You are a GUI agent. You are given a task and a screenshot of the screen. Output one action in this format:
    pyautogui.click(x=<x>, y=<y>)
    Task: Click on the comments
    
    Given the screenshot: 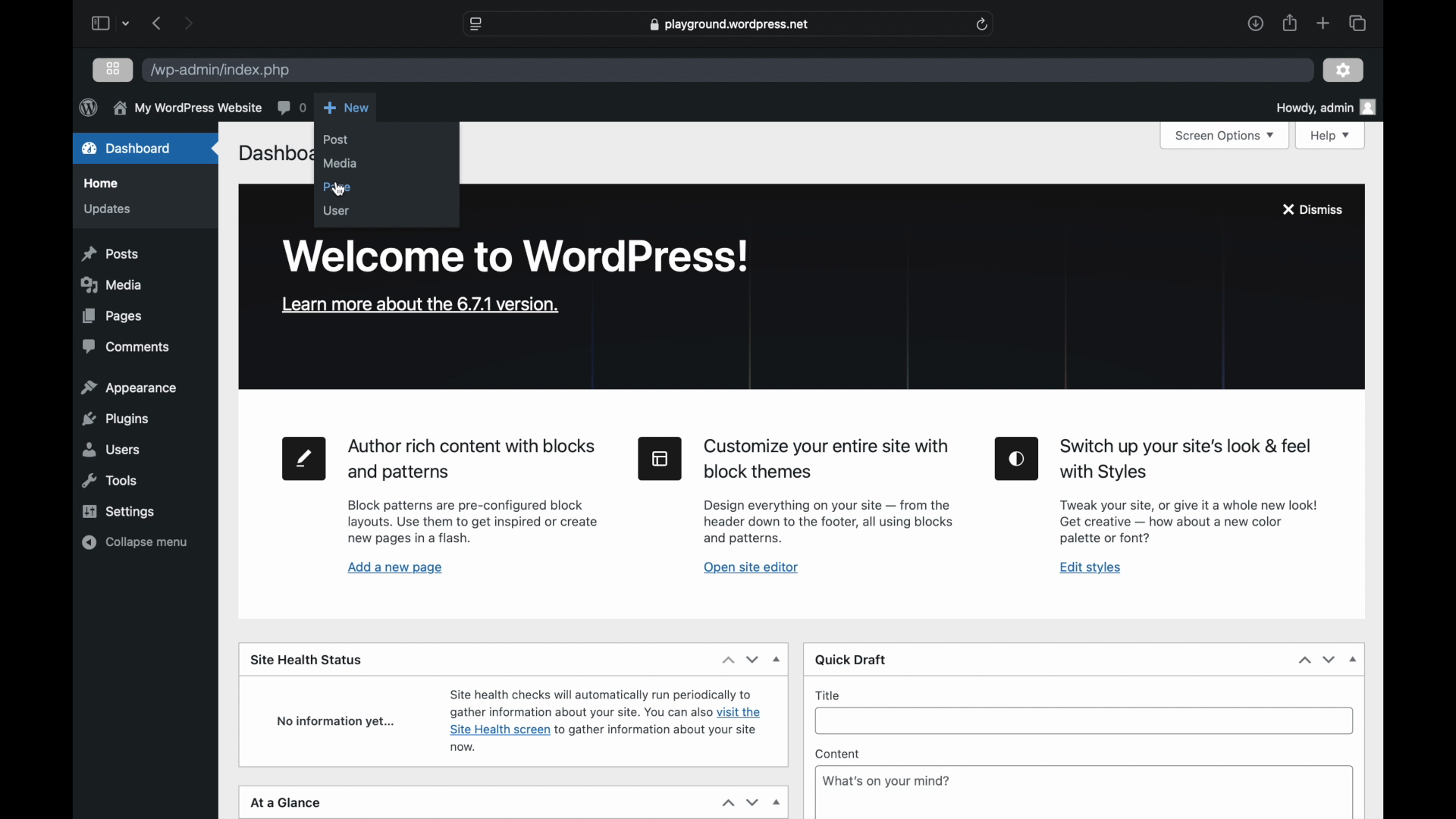 What is the action you would take?
    pyautogui.click(x=127, y=347)
    